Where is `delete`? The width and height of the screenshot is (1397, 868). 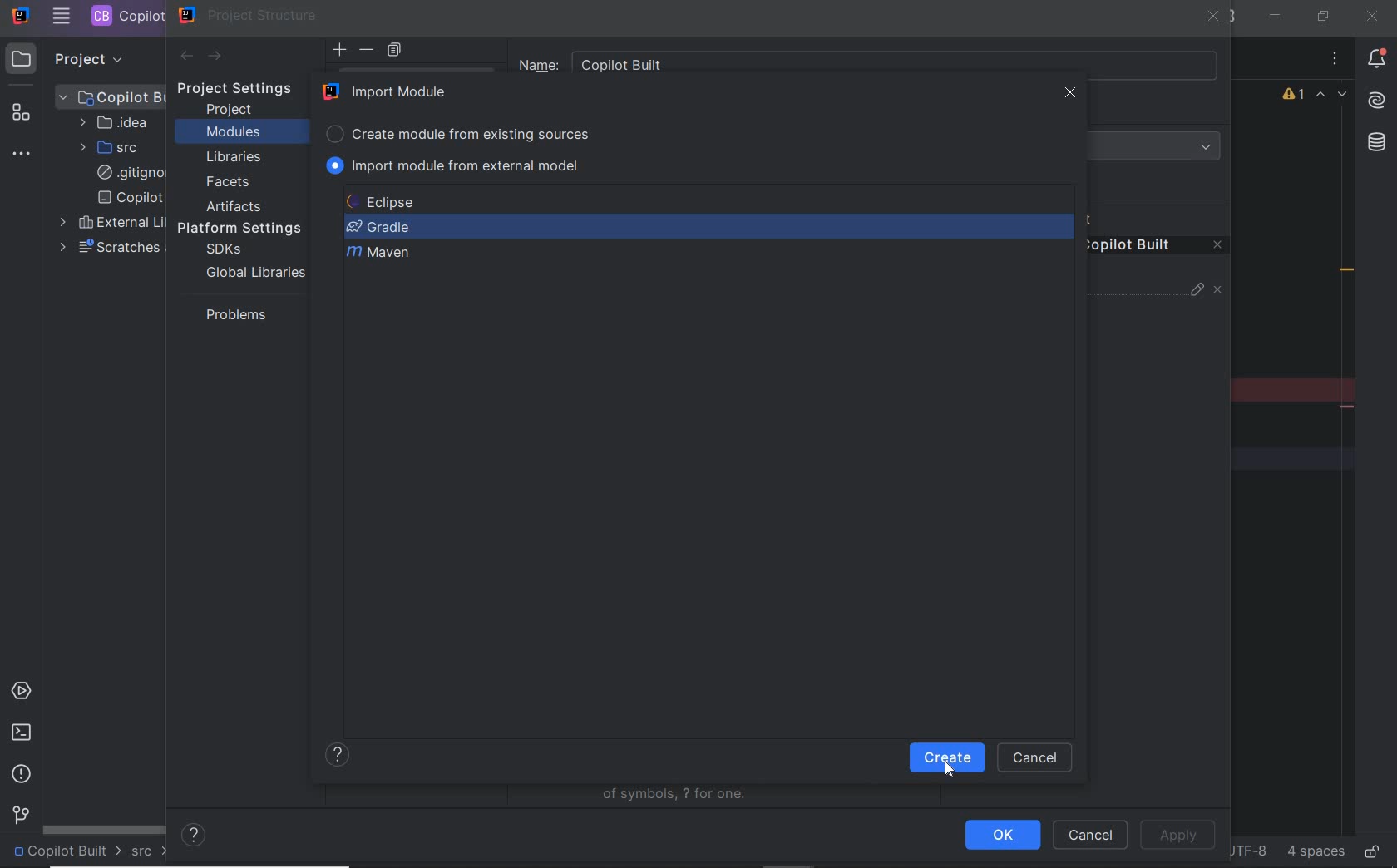
delete is located at coordinates (368, 50).